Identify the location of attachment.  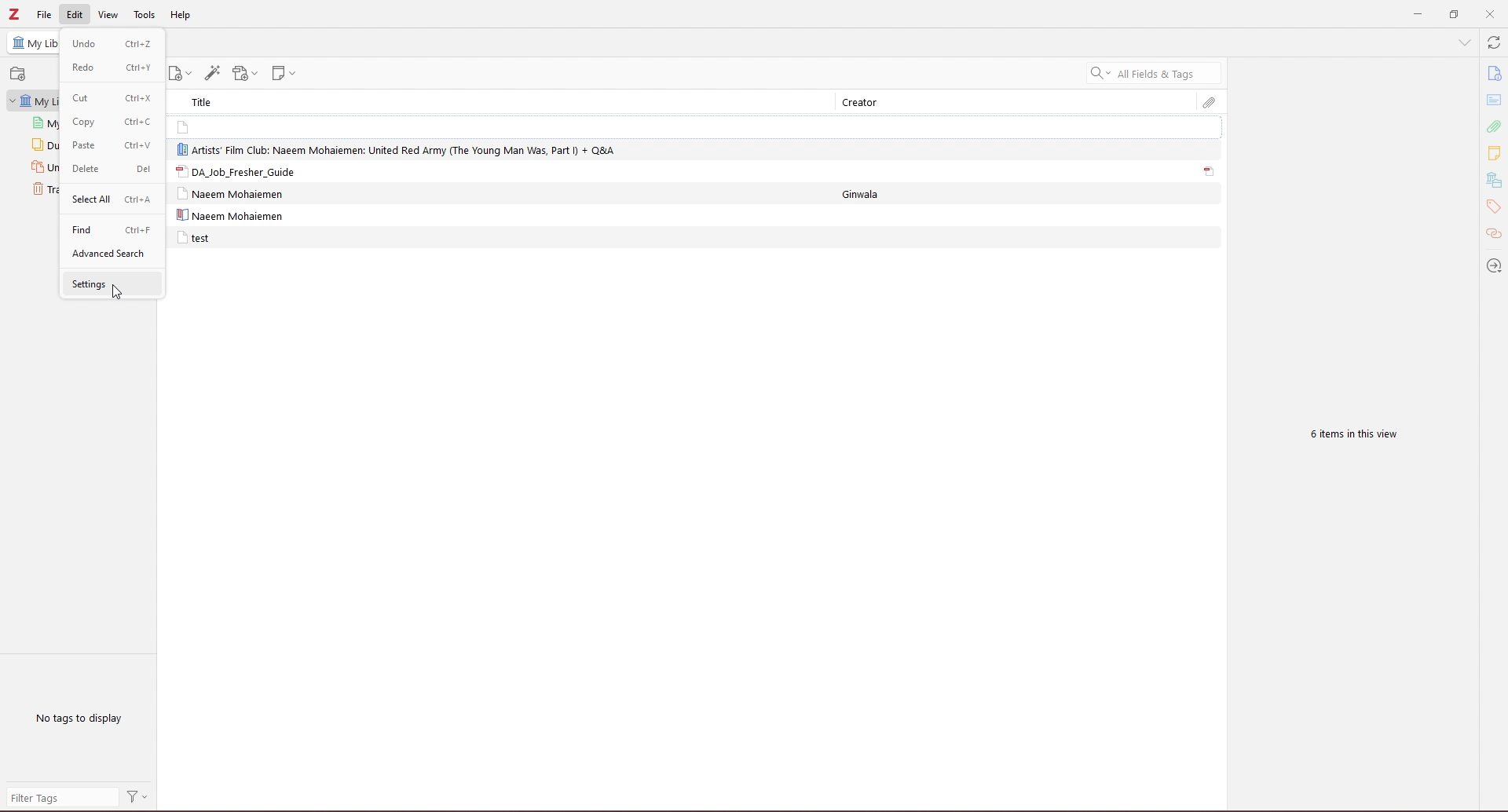
(1493, 126).